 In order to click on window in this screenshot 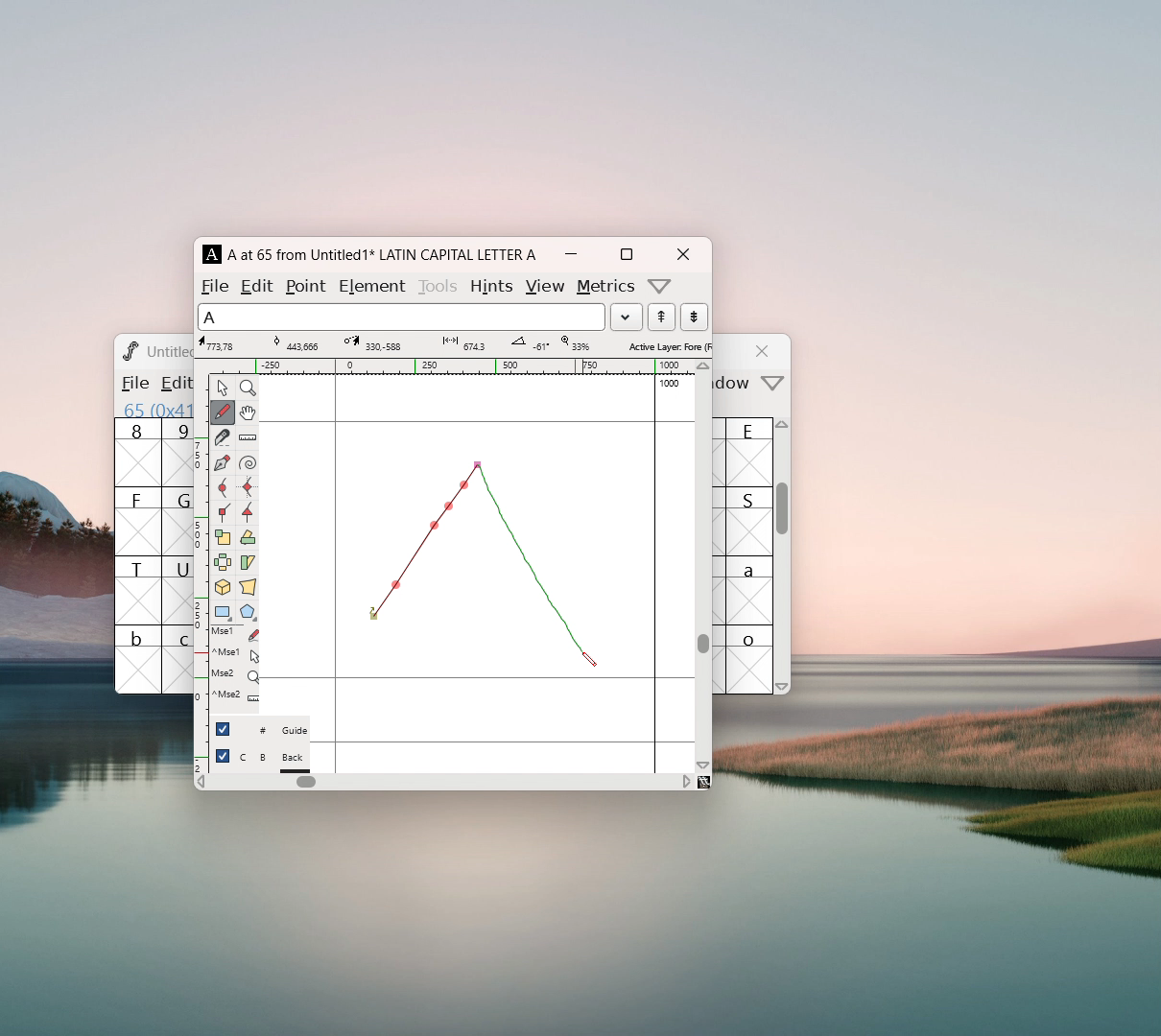, I will do `click(735, 384)`.